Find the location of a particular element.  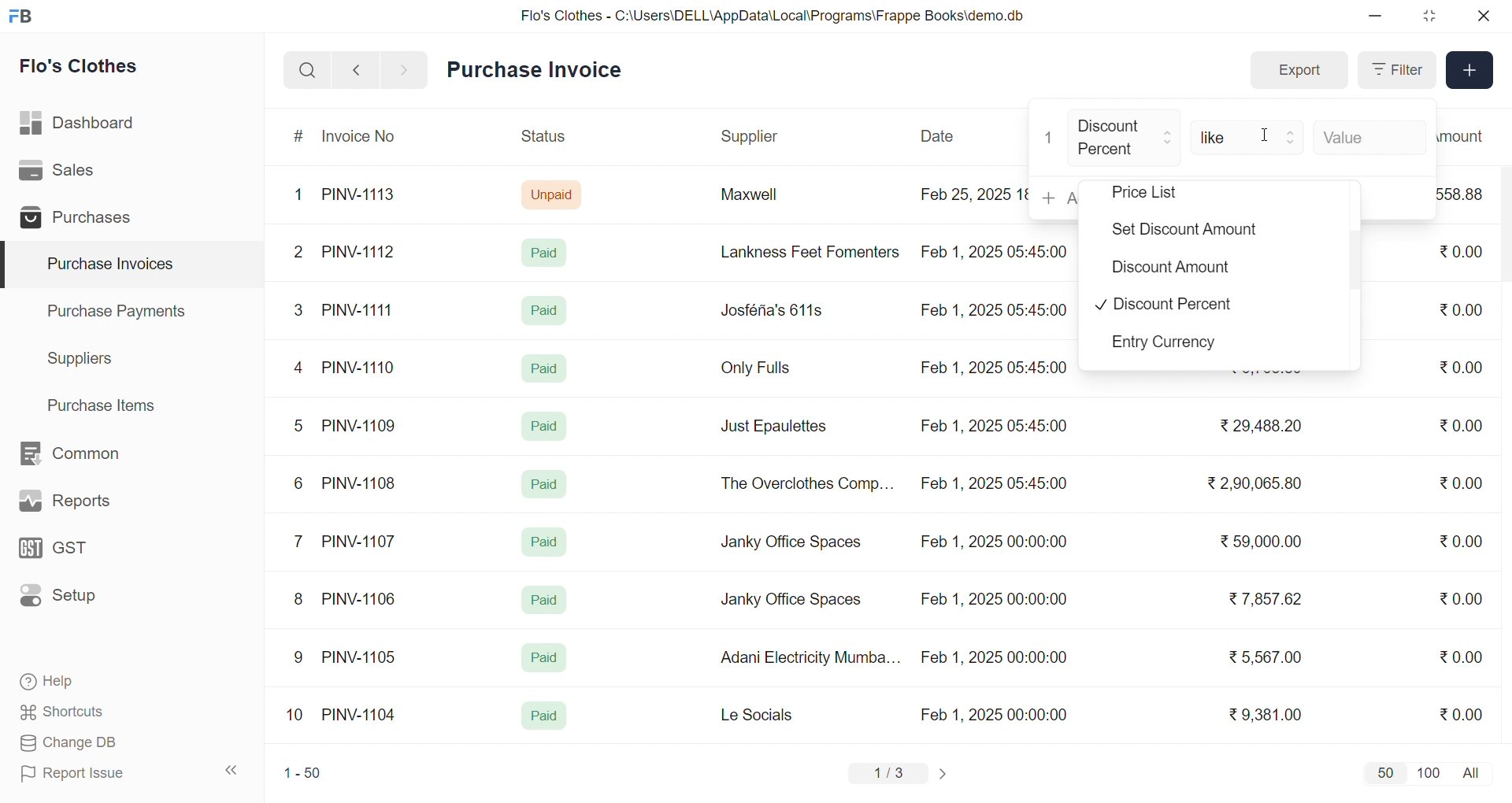

Entry Currency is located at coordinates (1172, 345).